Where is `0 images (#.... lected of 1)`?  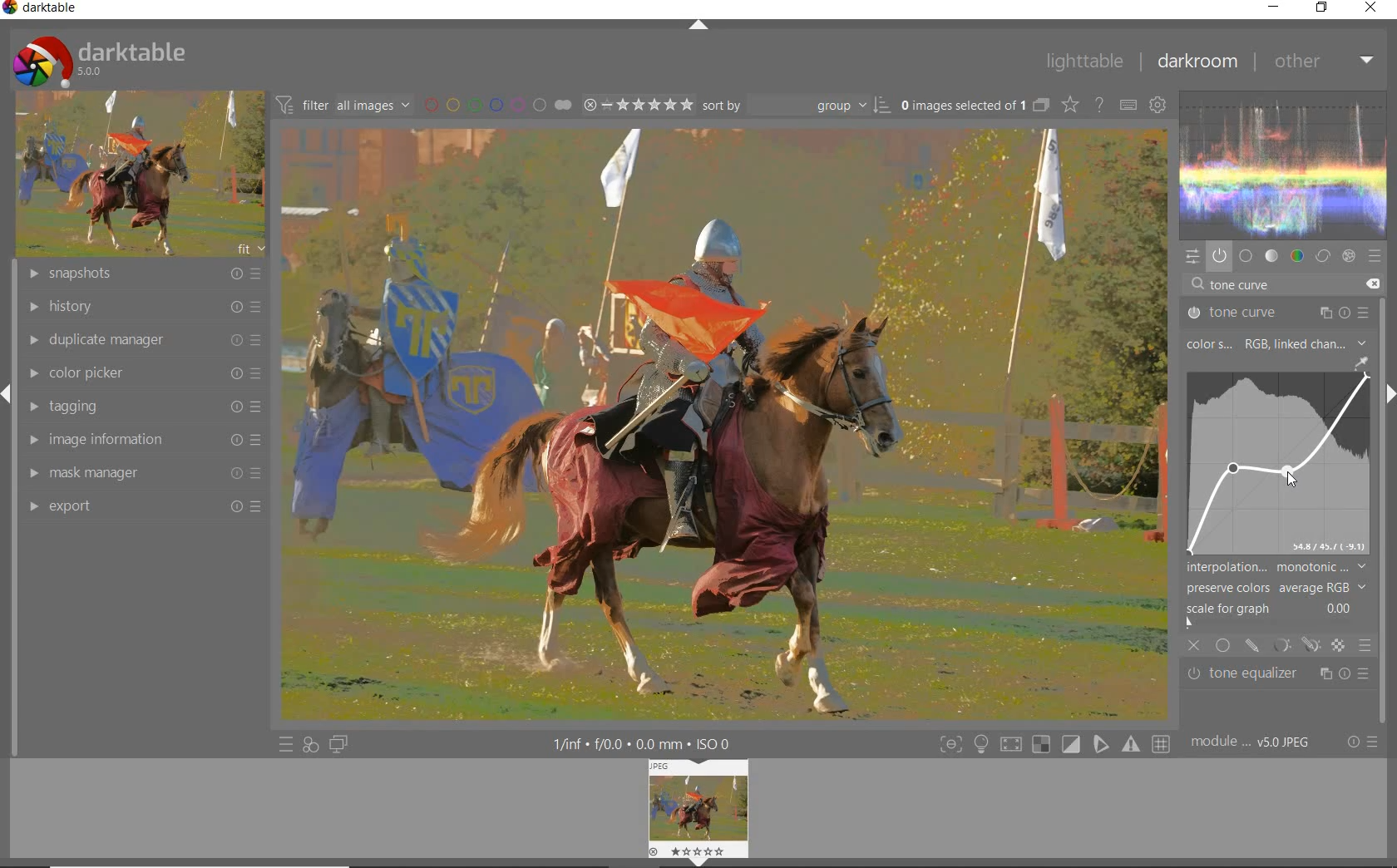 0 images (#.... lected of 1) is located at coordinates (973, 105).